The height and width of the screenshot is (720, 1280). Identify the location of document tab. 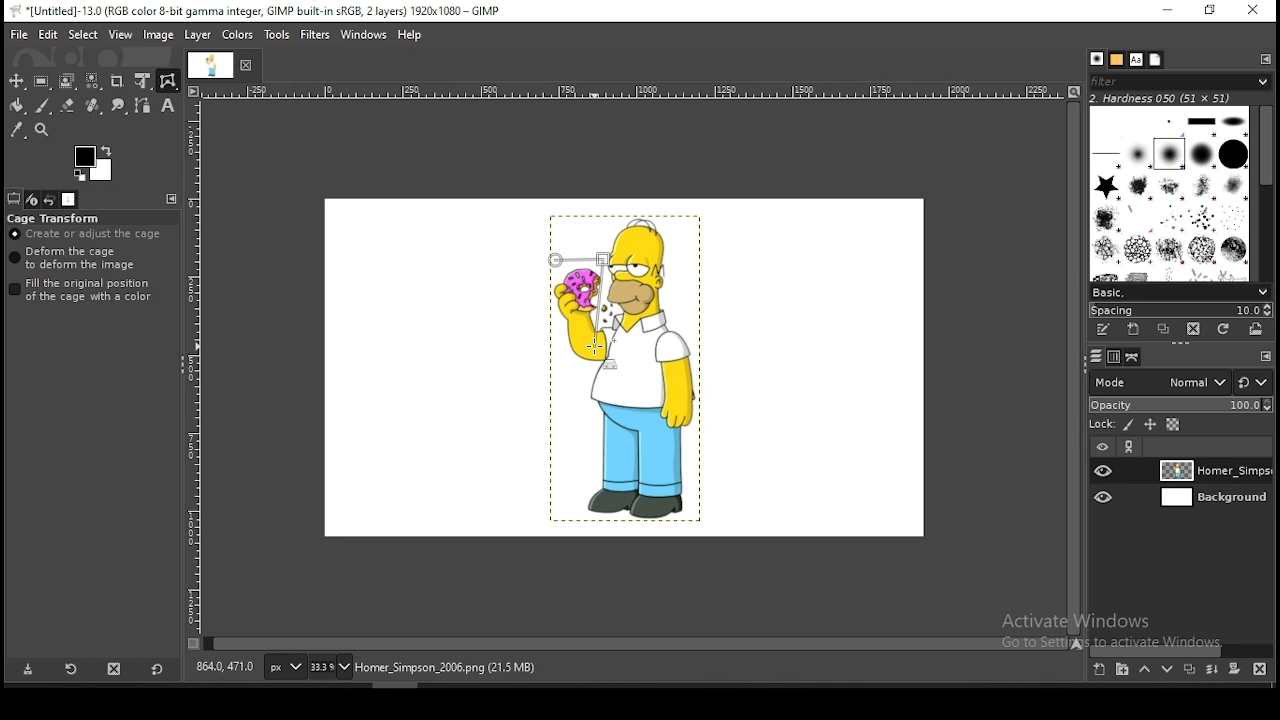
(212, 65).